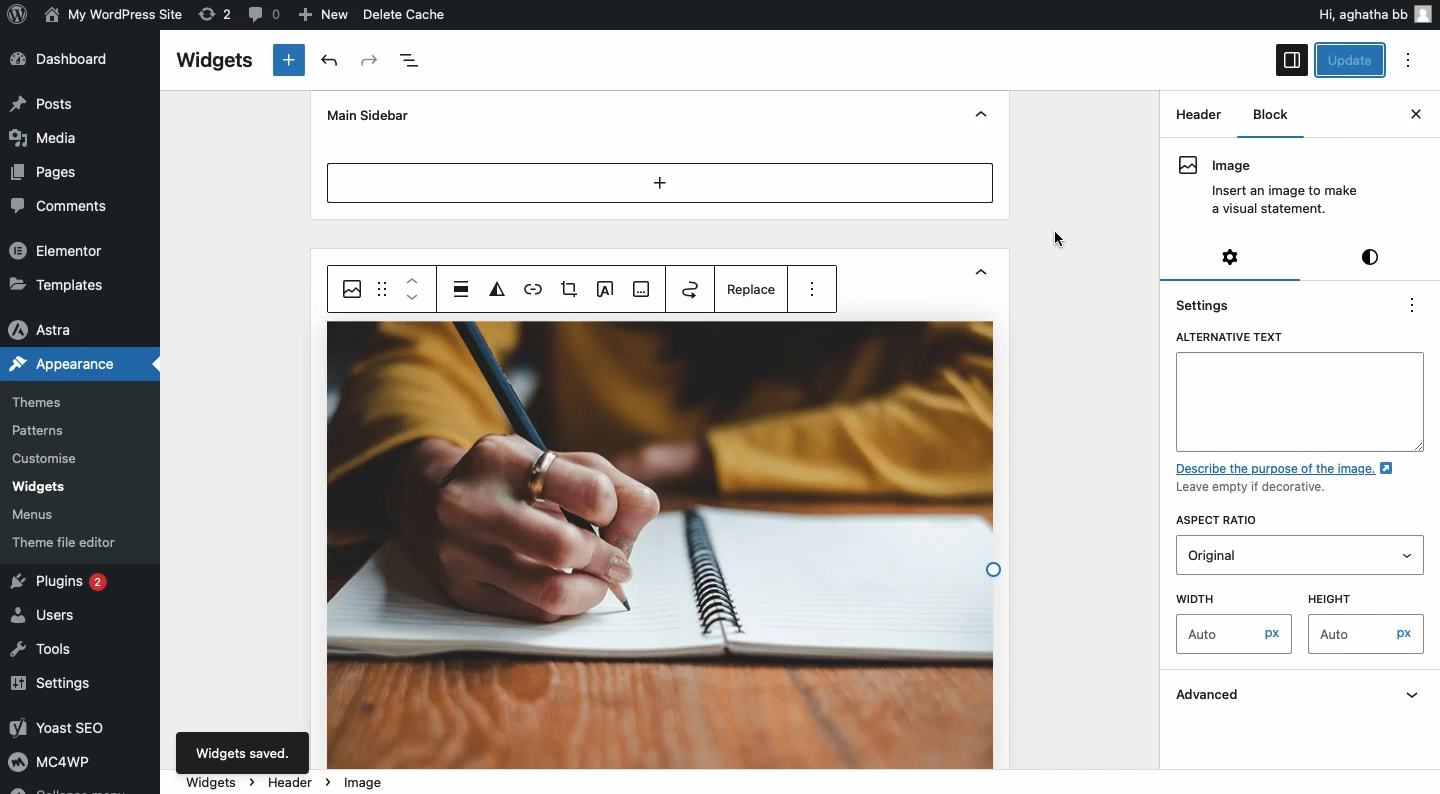 The height and width of the screenshot is (794, 1440). Describe the element at coordinates (38, 487) in the screenshot. I see `Widgets` at that location.